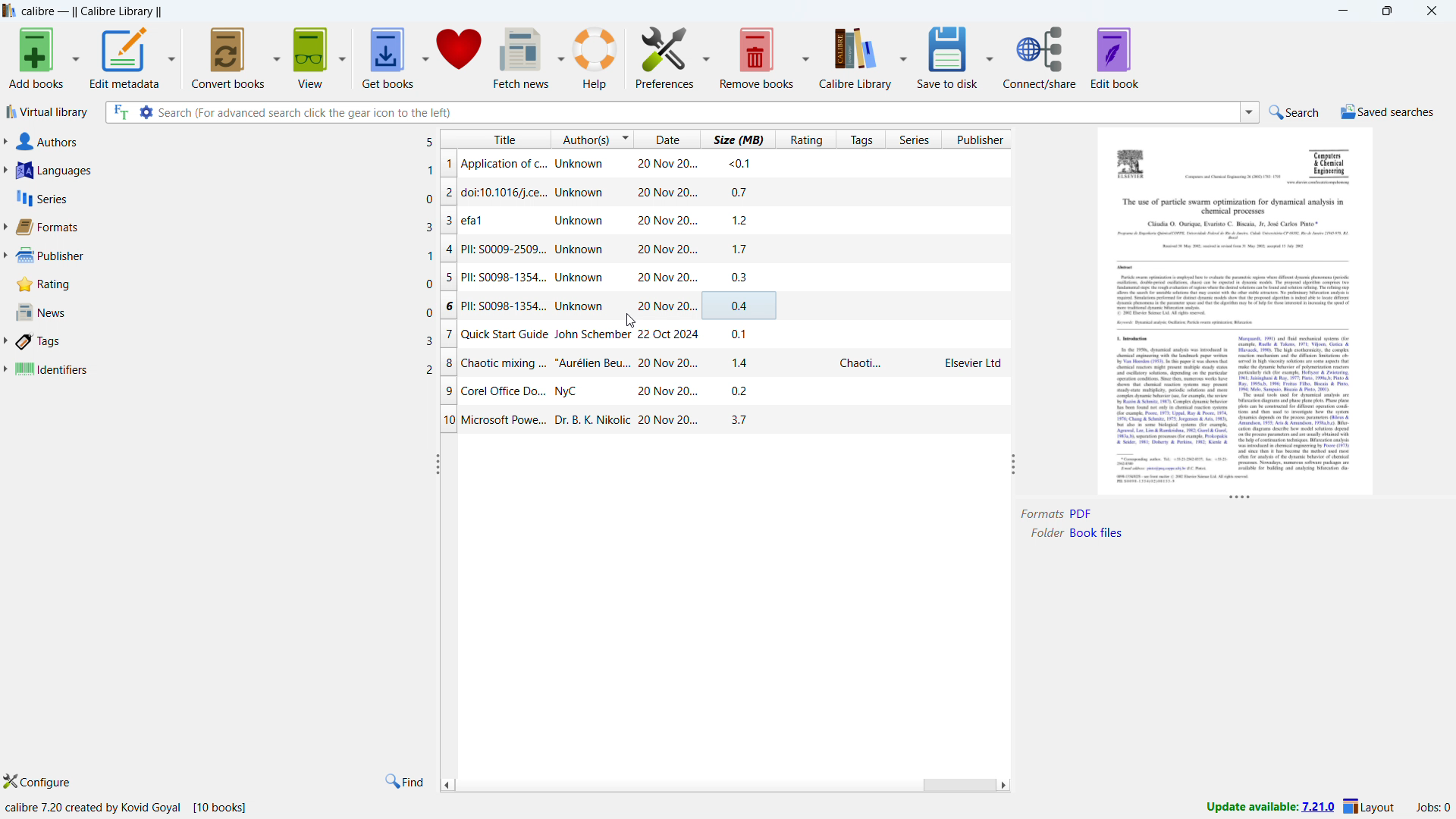  I want to click on sort by publisher, so click(977, 140).